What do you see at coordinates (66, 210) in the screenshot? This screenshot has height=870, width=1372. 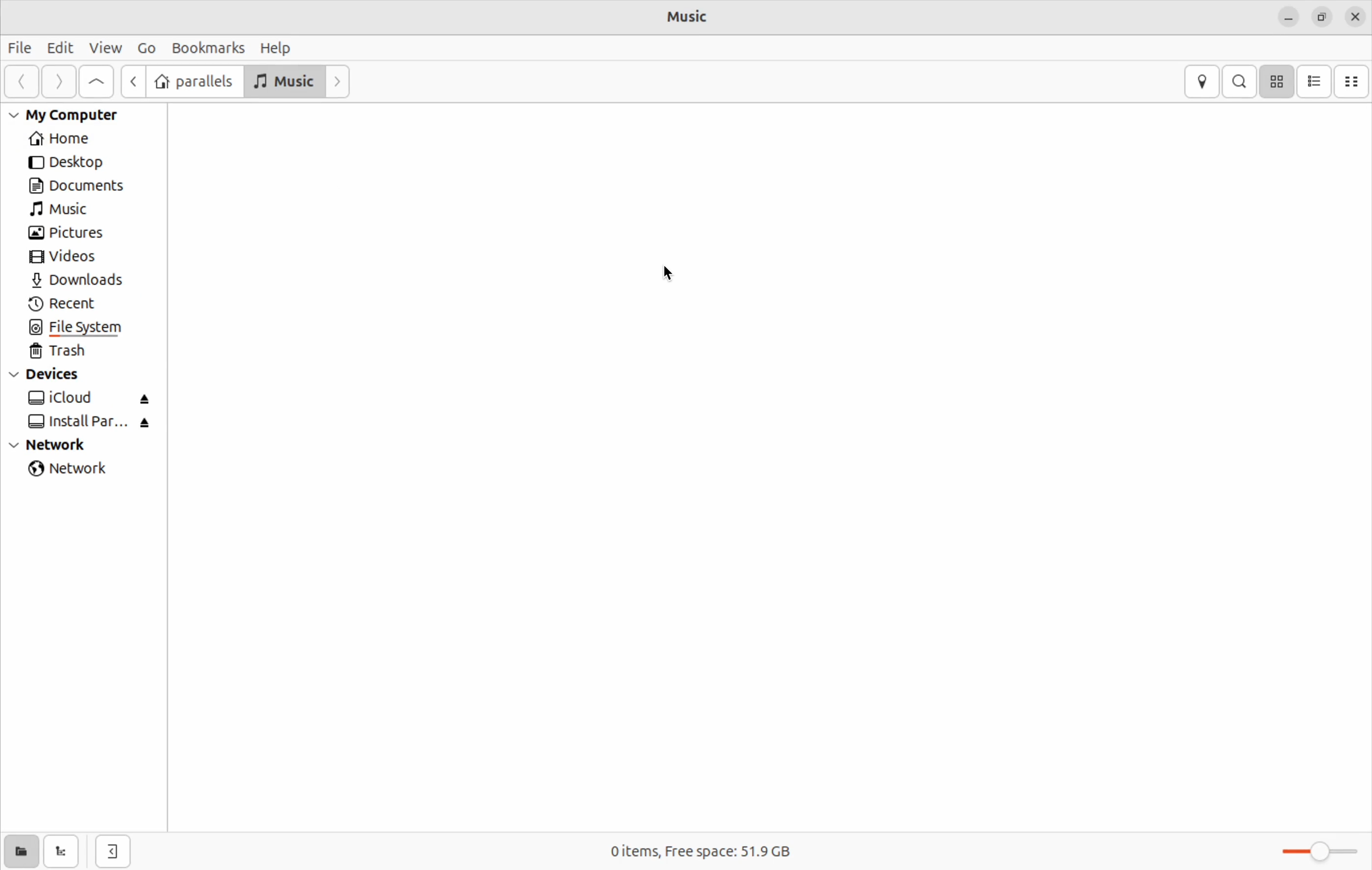 I see `music` at bounding box center [66, 210].